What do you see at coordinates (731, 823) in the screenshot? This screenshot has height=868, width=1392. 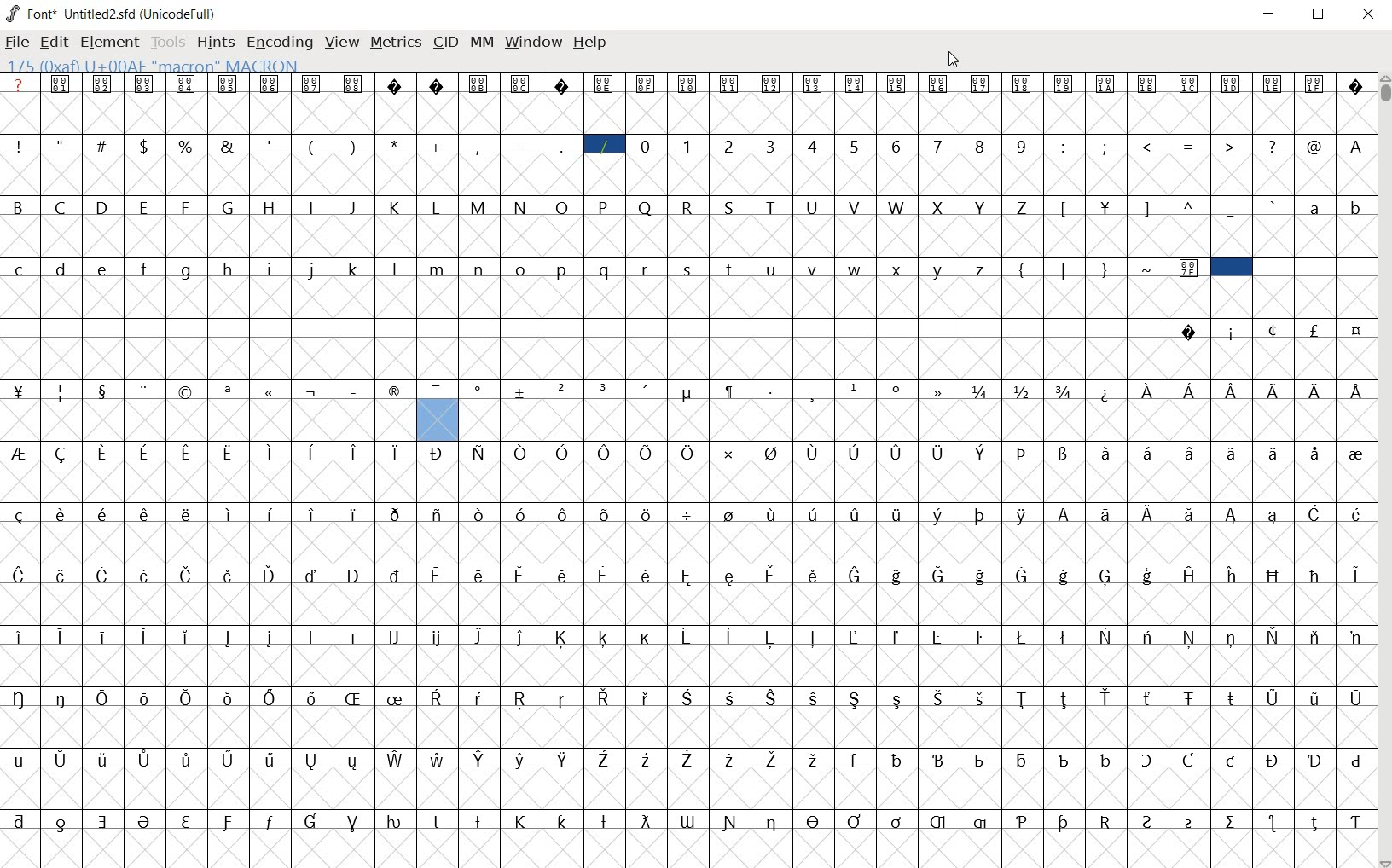 I see `Symbol` at bounding box center [731, 823].